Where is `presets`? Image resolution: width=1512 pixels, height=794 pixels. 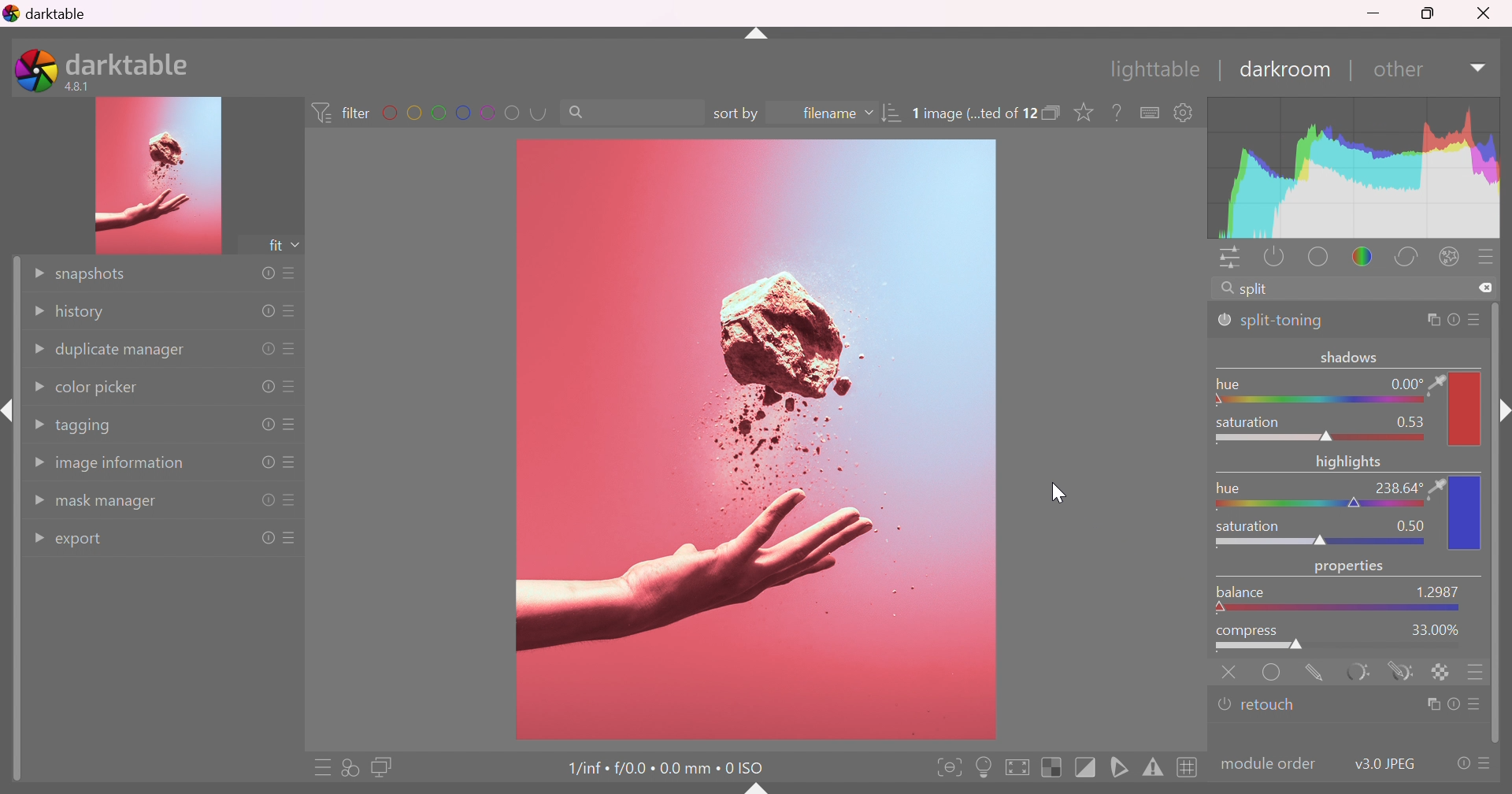
presets is located at coordinates (294, 386).